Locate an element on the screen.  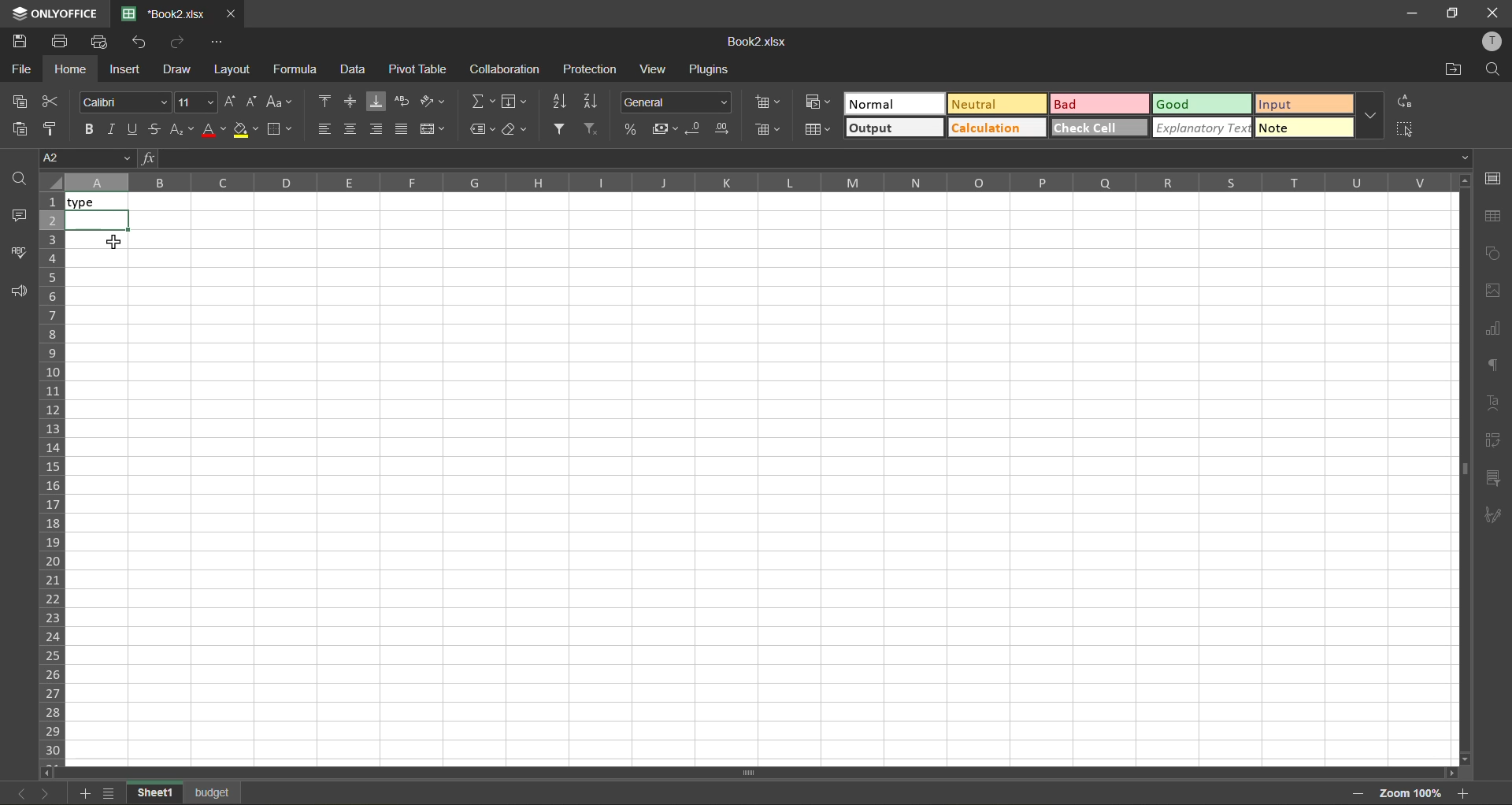
file is located at coordinates (20, 72).